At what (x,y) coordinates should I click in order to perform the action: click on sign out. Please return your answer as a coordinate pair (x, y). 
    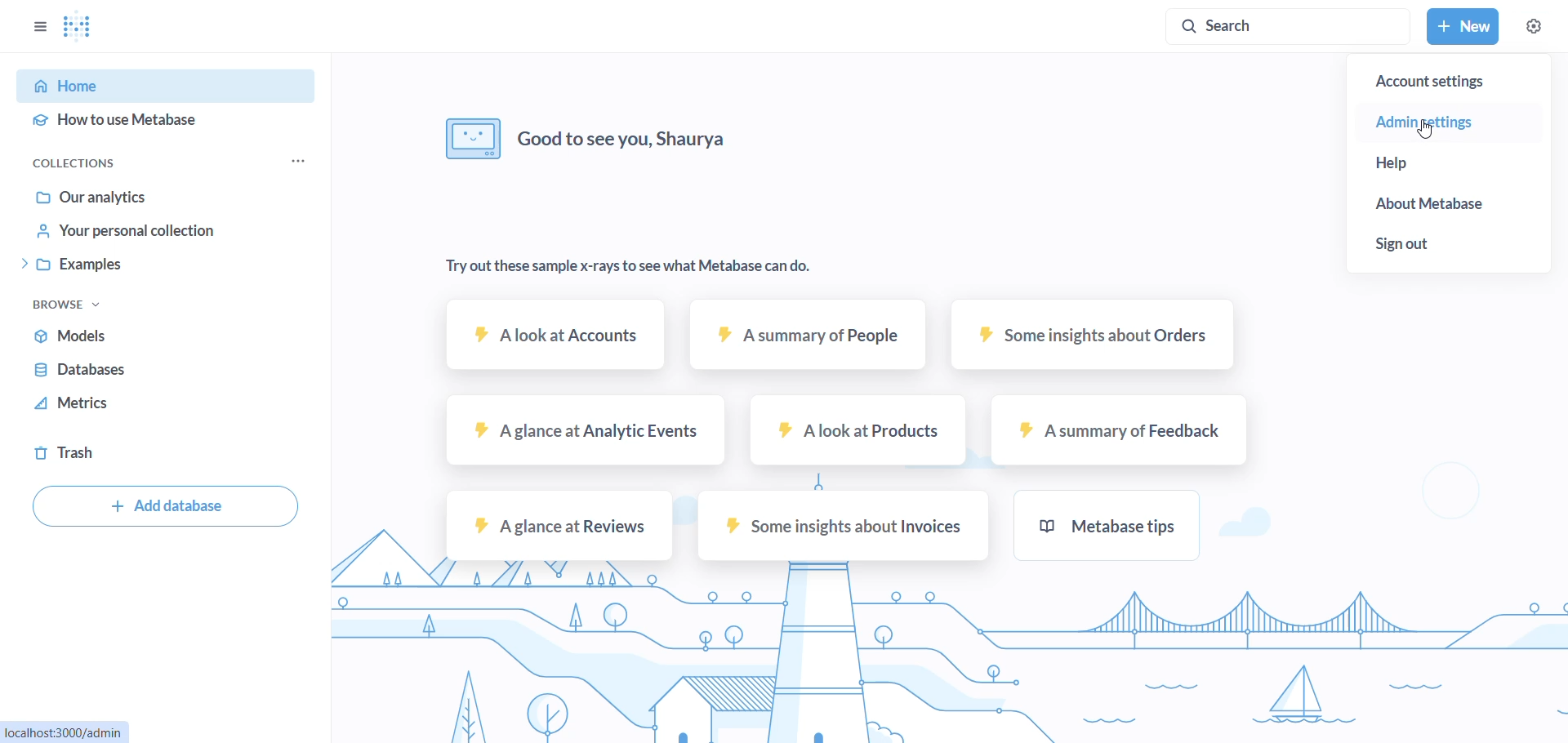
    Looking at the image, I should click on (1349, 243).